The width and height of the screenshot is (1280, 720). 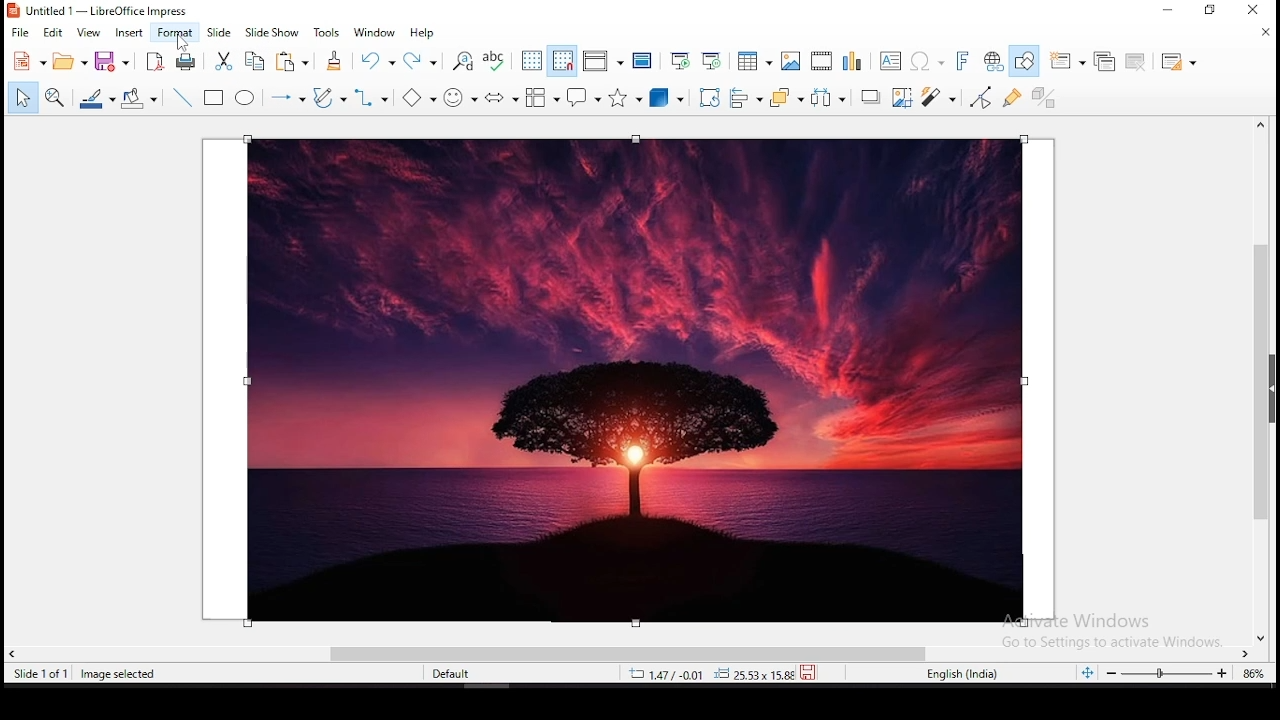 I want to click on crop image, so click(x=904, y=98).